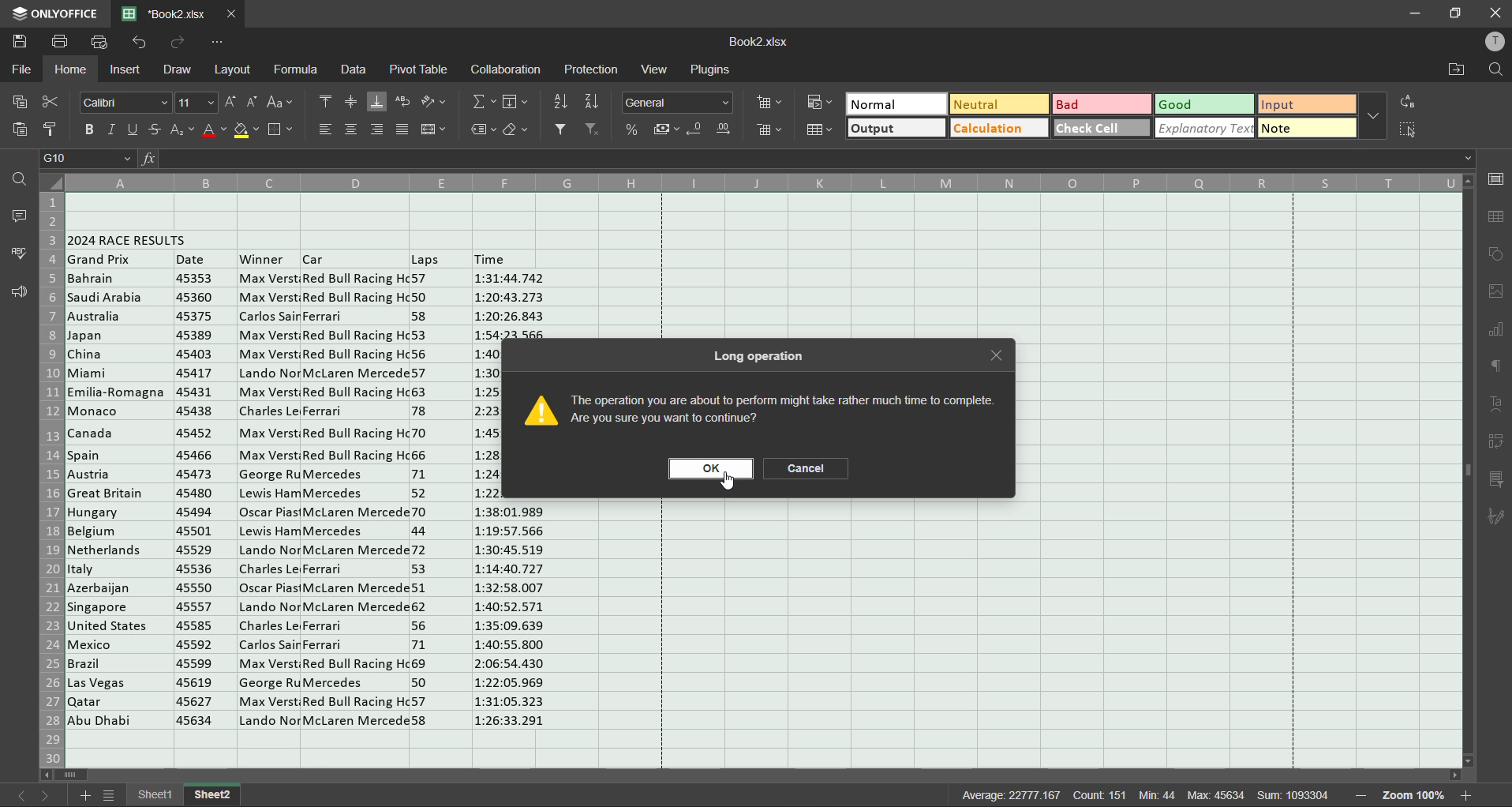 This screenshot has width=1512, height=807. I want to click on align middle, so click(350, 103).